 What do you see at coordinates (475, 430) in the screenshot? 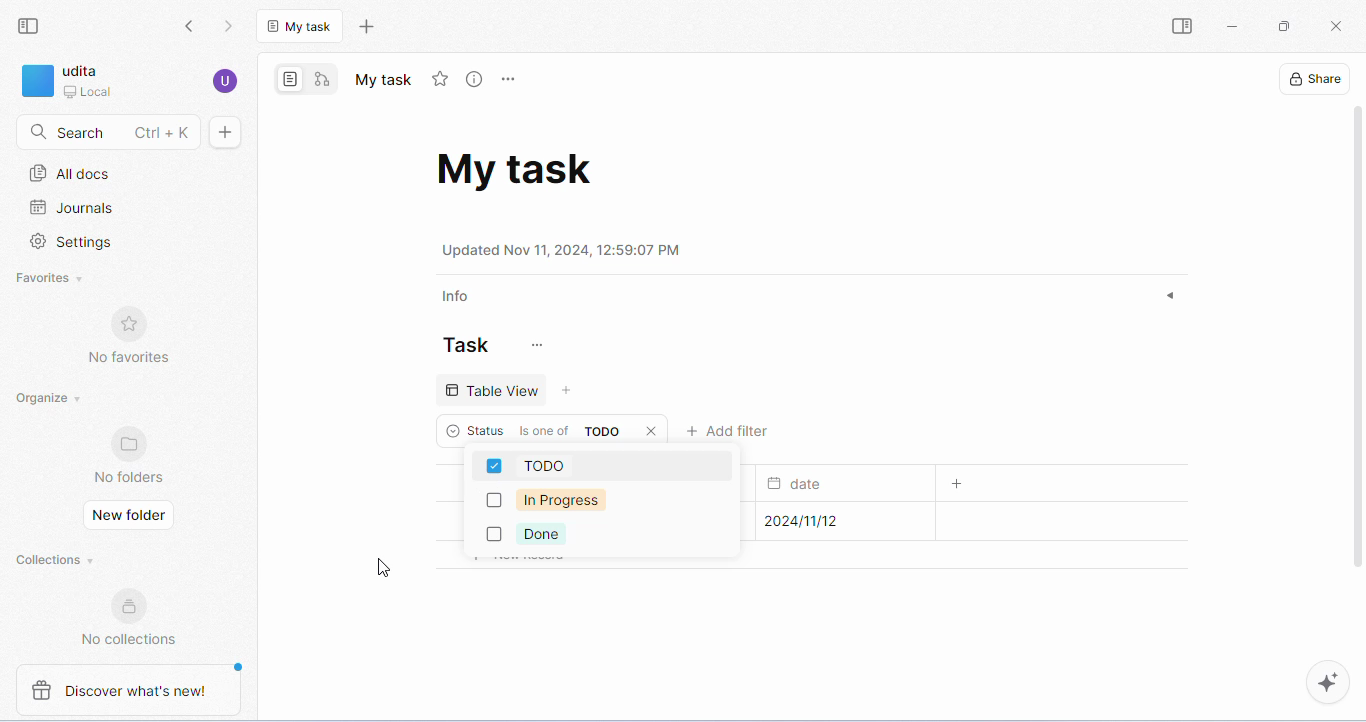
I see `status` at bounding box center [475, 430].